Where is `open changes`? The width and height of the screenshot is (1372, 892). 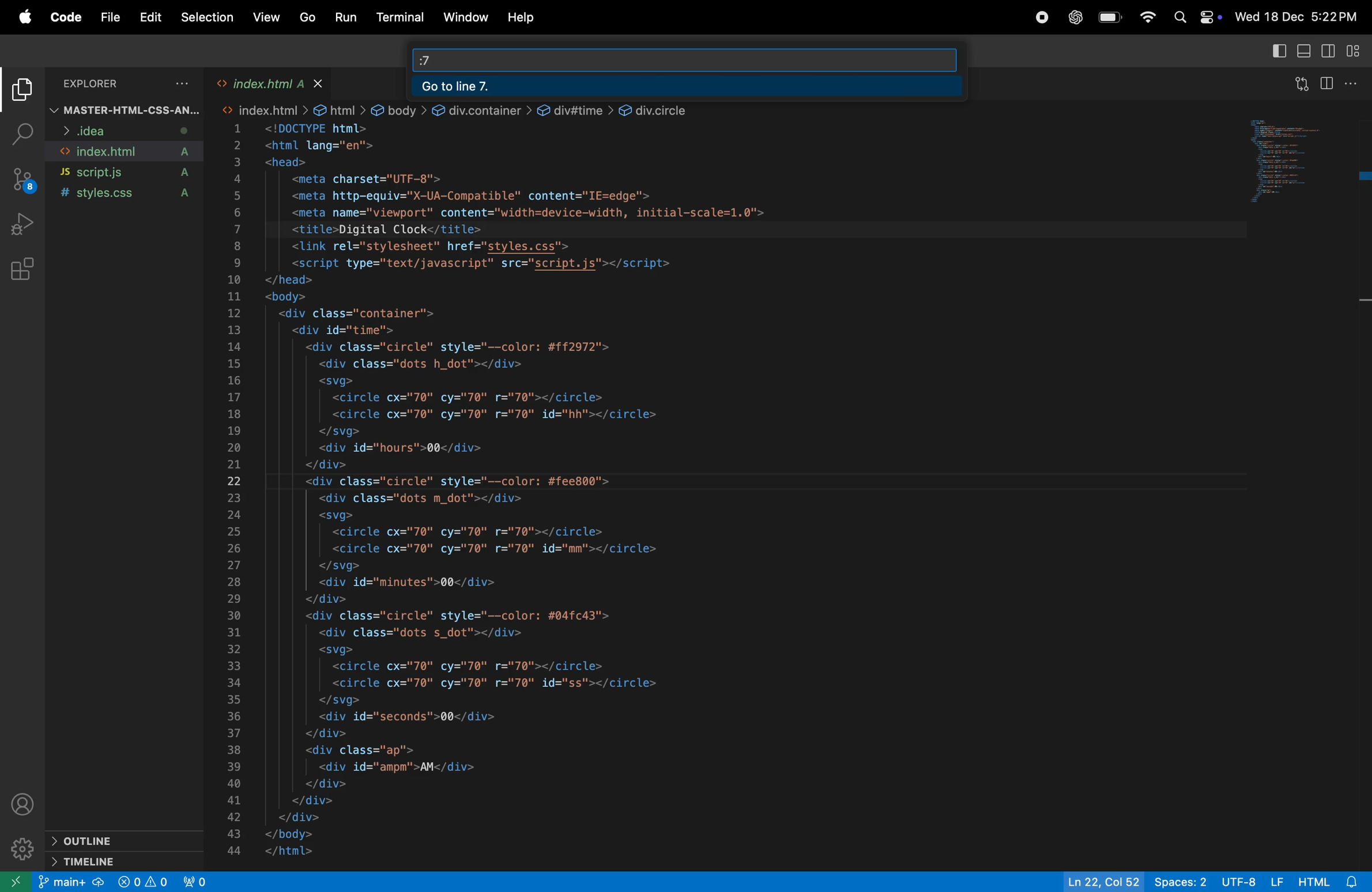
open changes is located at coordinates (1299, 85).